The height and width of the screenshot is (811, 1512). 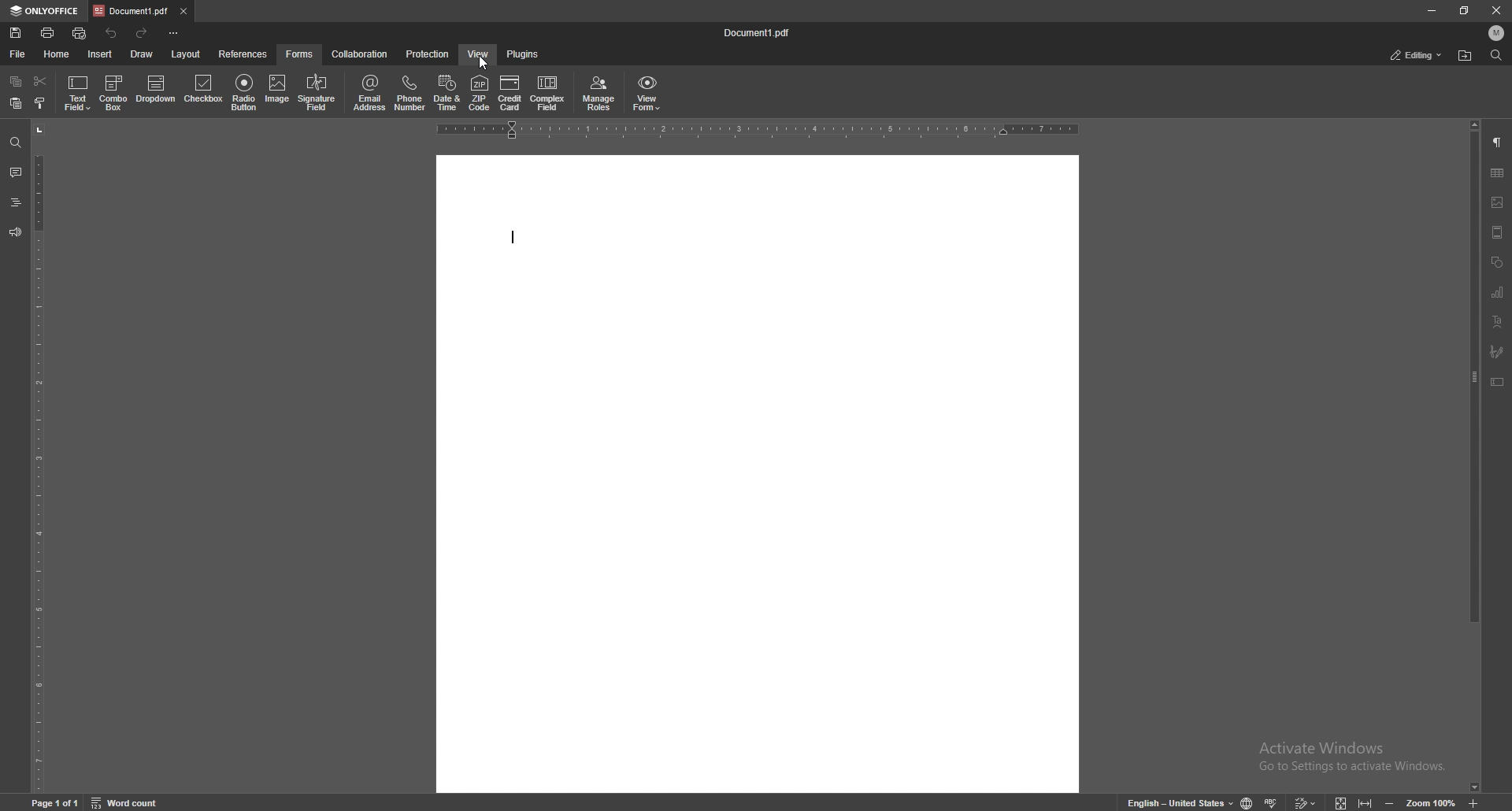 I want to click on shapes, so click(x=1497, y=261).